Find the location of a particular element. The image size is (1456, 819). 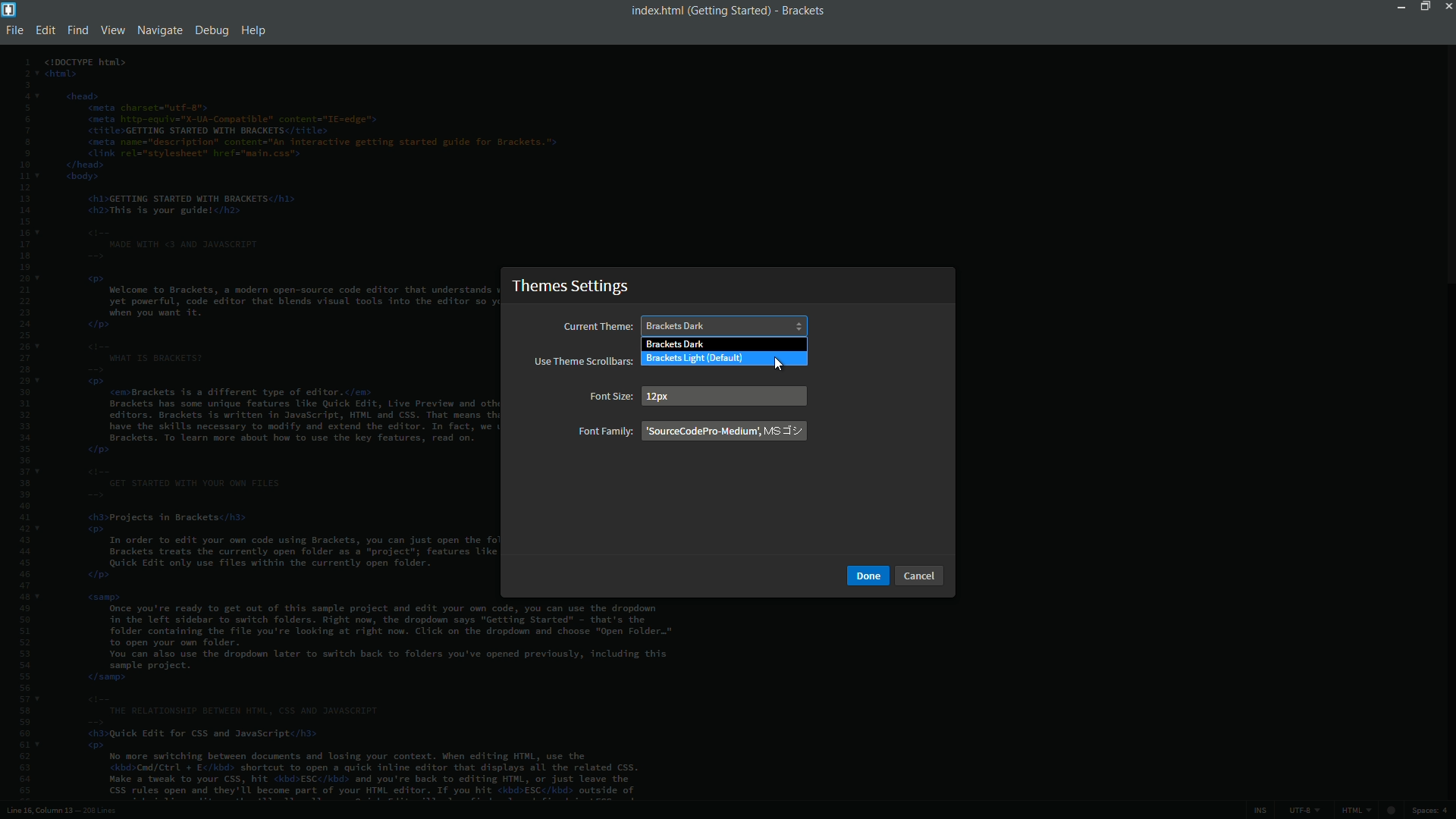

getting started is located at coordinates (729, 11).